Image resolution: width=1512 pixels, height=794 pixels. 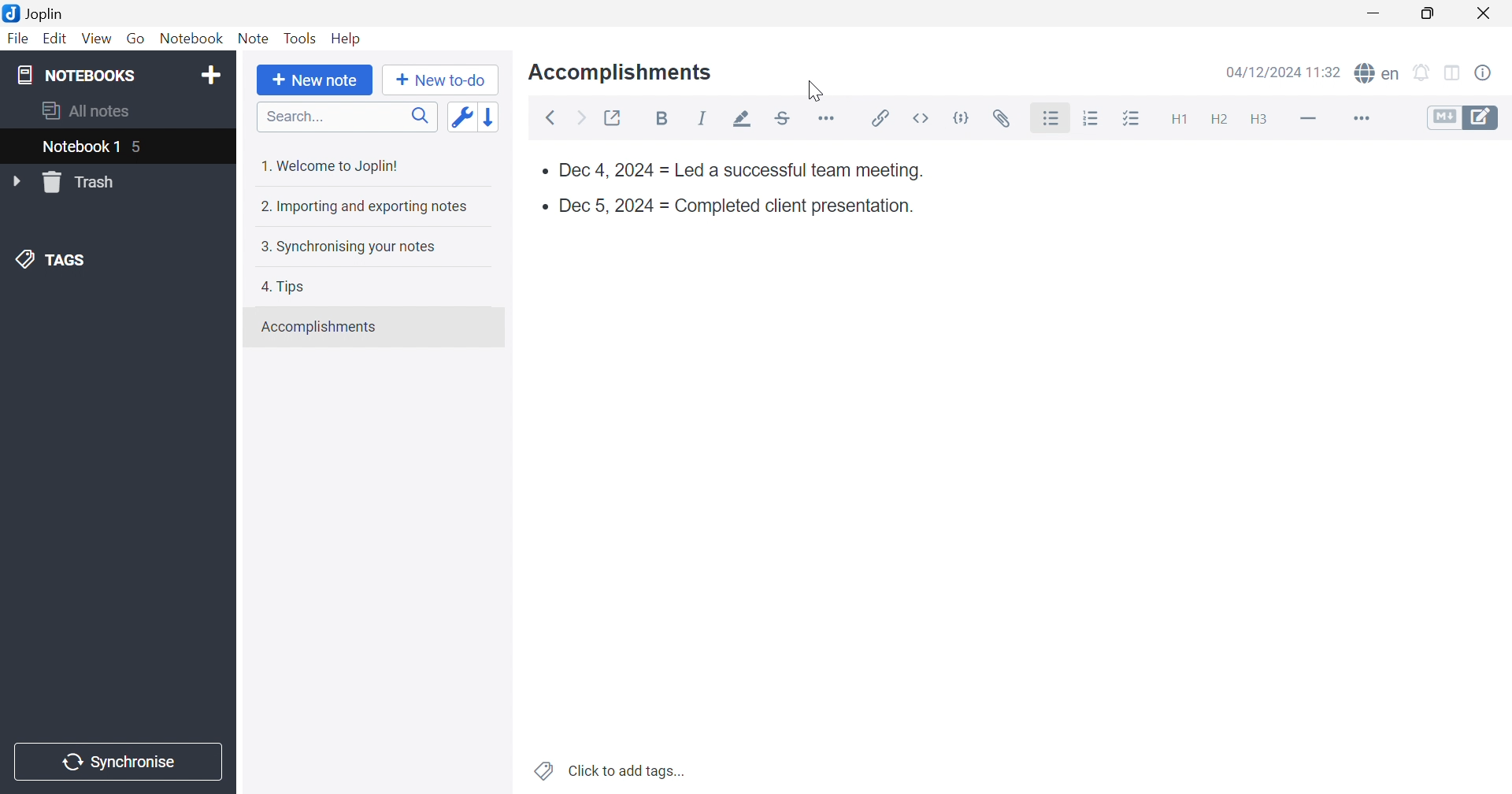 I want to click on New to-do, so click(x=439, y=78).